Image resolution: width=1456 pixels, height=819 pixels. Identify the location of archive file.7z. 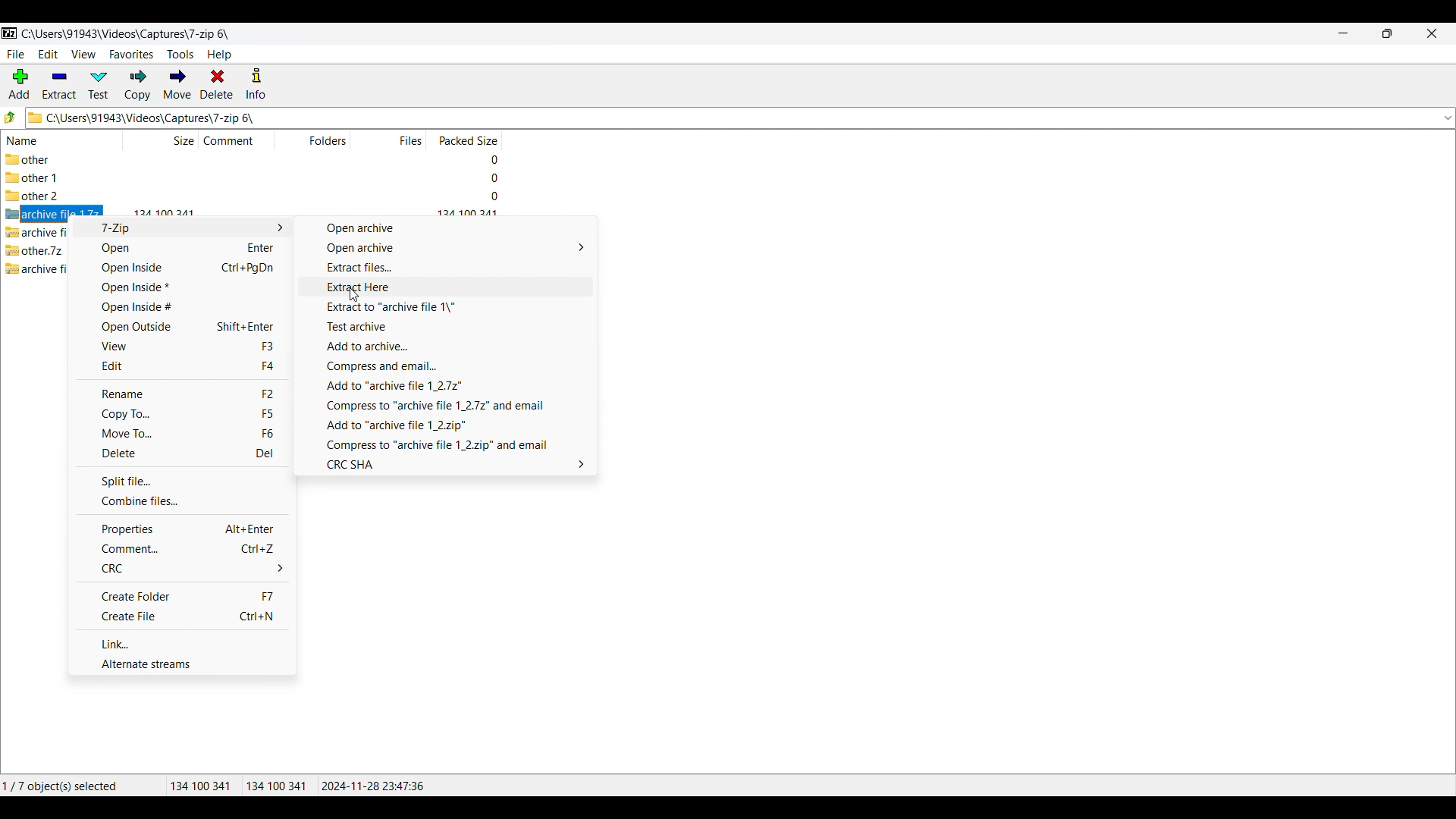
(36, 232).